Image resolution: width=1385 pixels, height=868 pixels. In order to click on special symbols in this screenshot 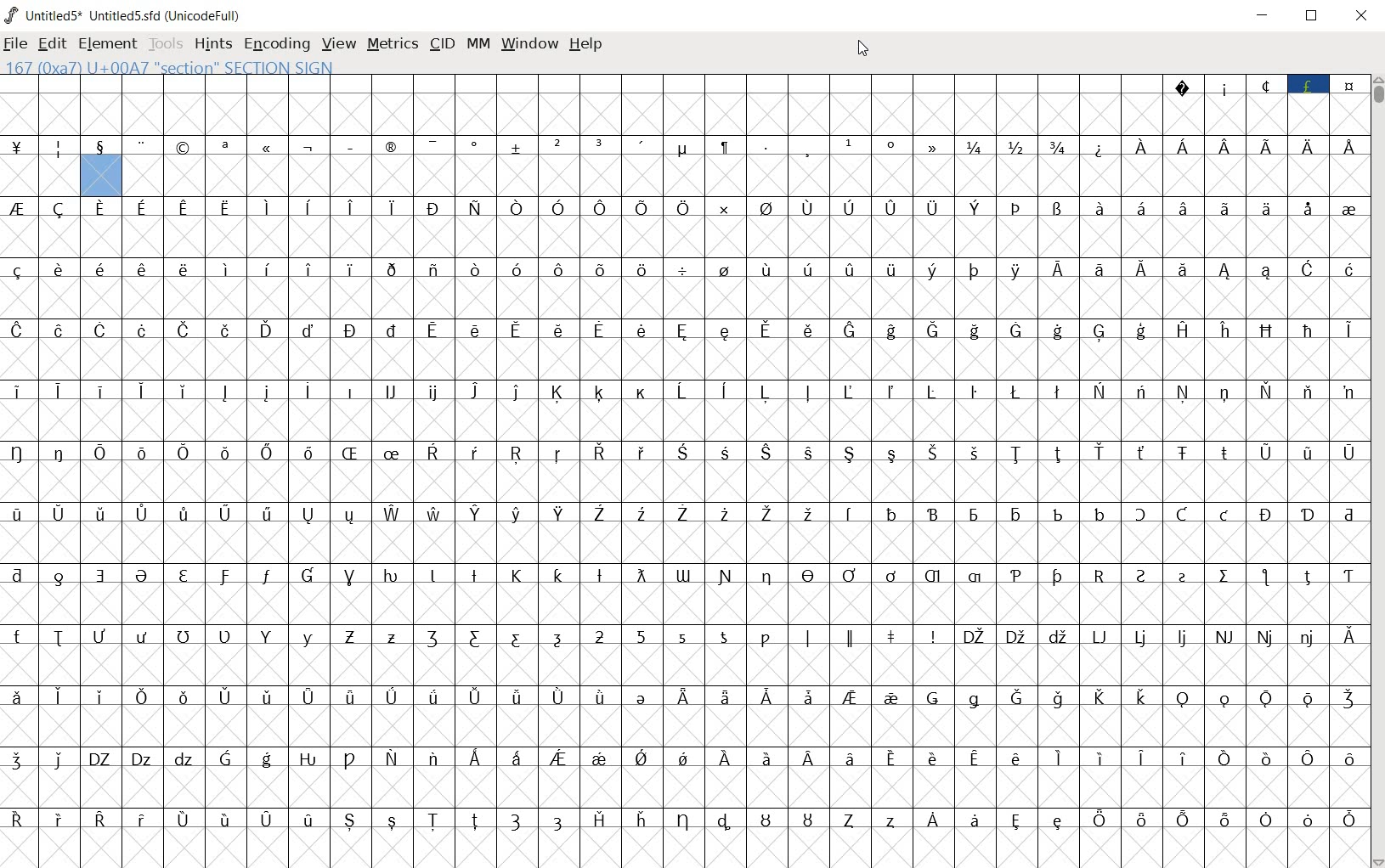, I will do `click(1263, 82)`.